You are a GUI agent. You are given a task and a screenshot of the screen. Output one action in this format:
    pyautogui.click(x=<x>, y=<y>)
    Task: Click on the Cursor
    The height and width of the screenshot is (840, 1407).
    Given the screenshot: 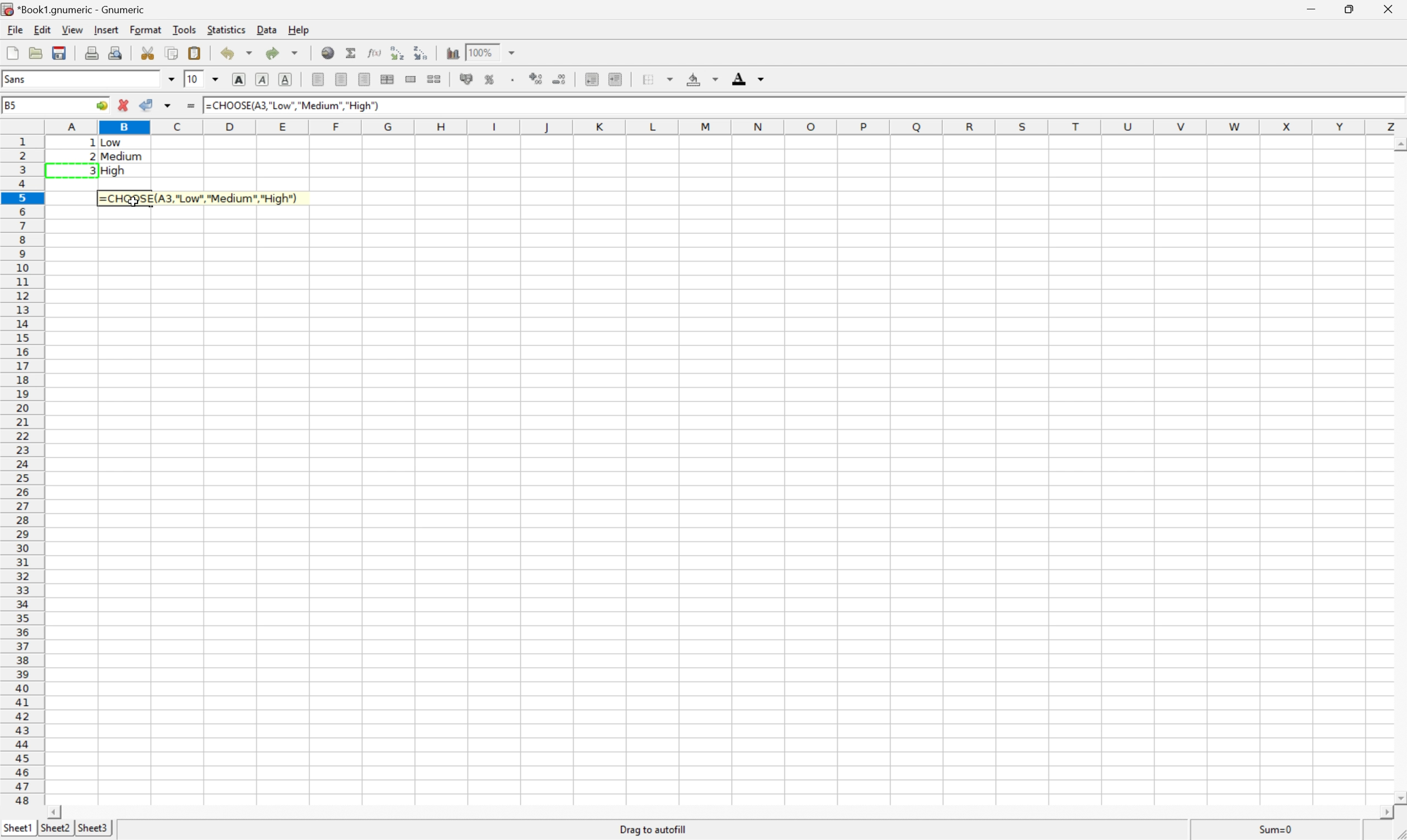 What is the action you would take?
    pyautogui.click(x=136, y=199)
    